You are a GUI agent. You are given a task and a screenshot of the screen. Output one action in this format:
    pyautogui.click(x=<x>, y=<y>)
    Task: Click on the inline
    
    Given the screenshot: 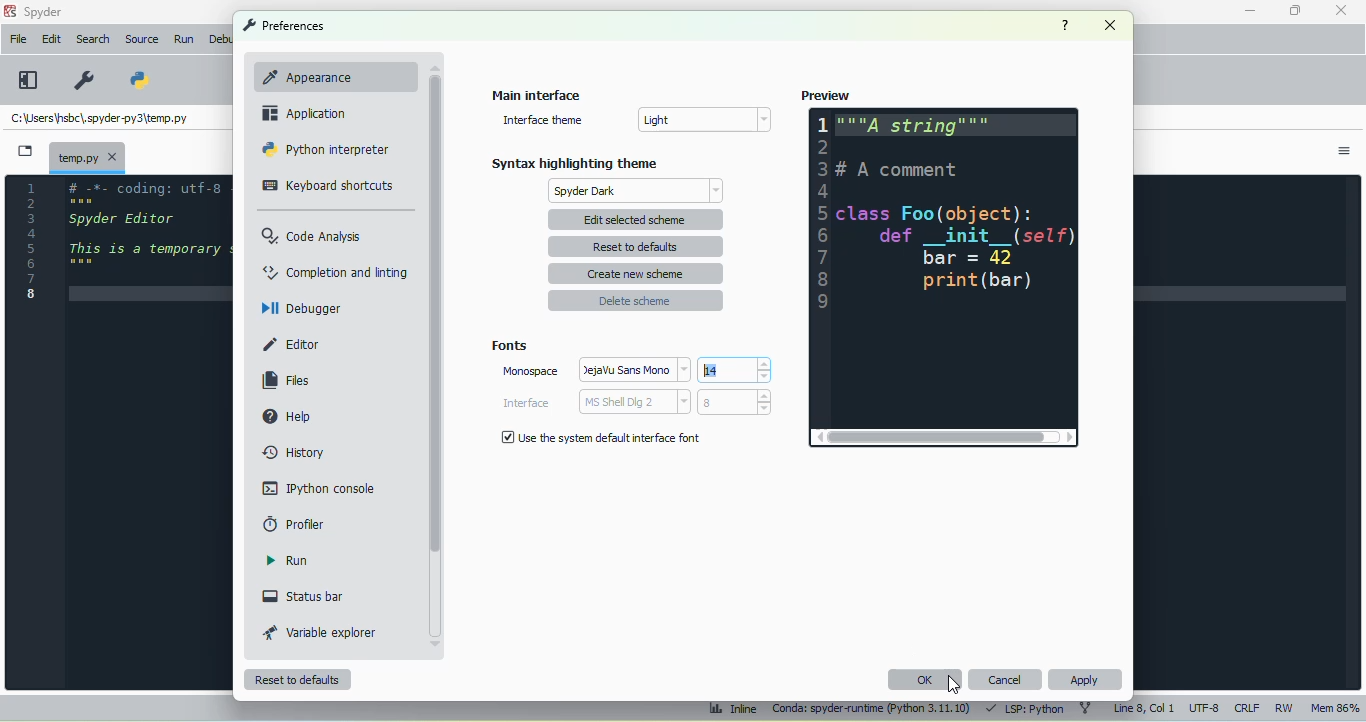 What is the action you would take?
    pyautogui.click(x=733, y=709)
    